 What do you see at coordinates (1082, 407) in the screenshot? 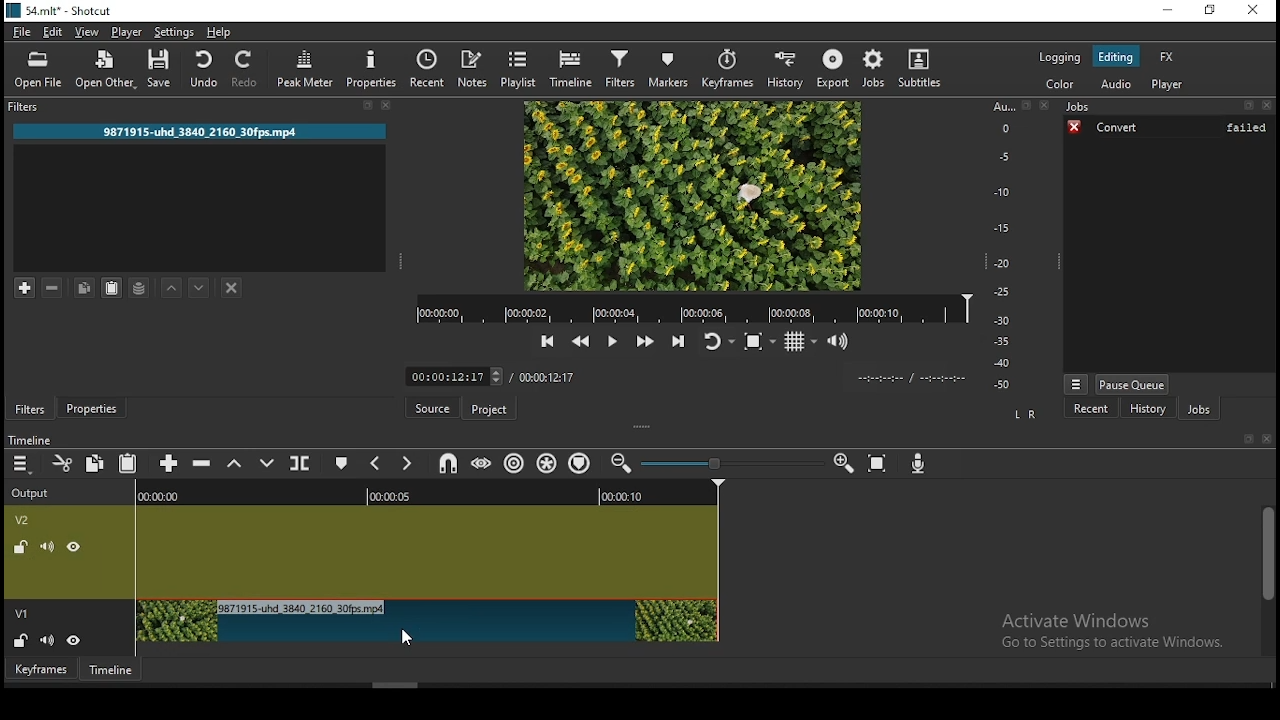
I see `recent` at bounding box center [1082, 407].